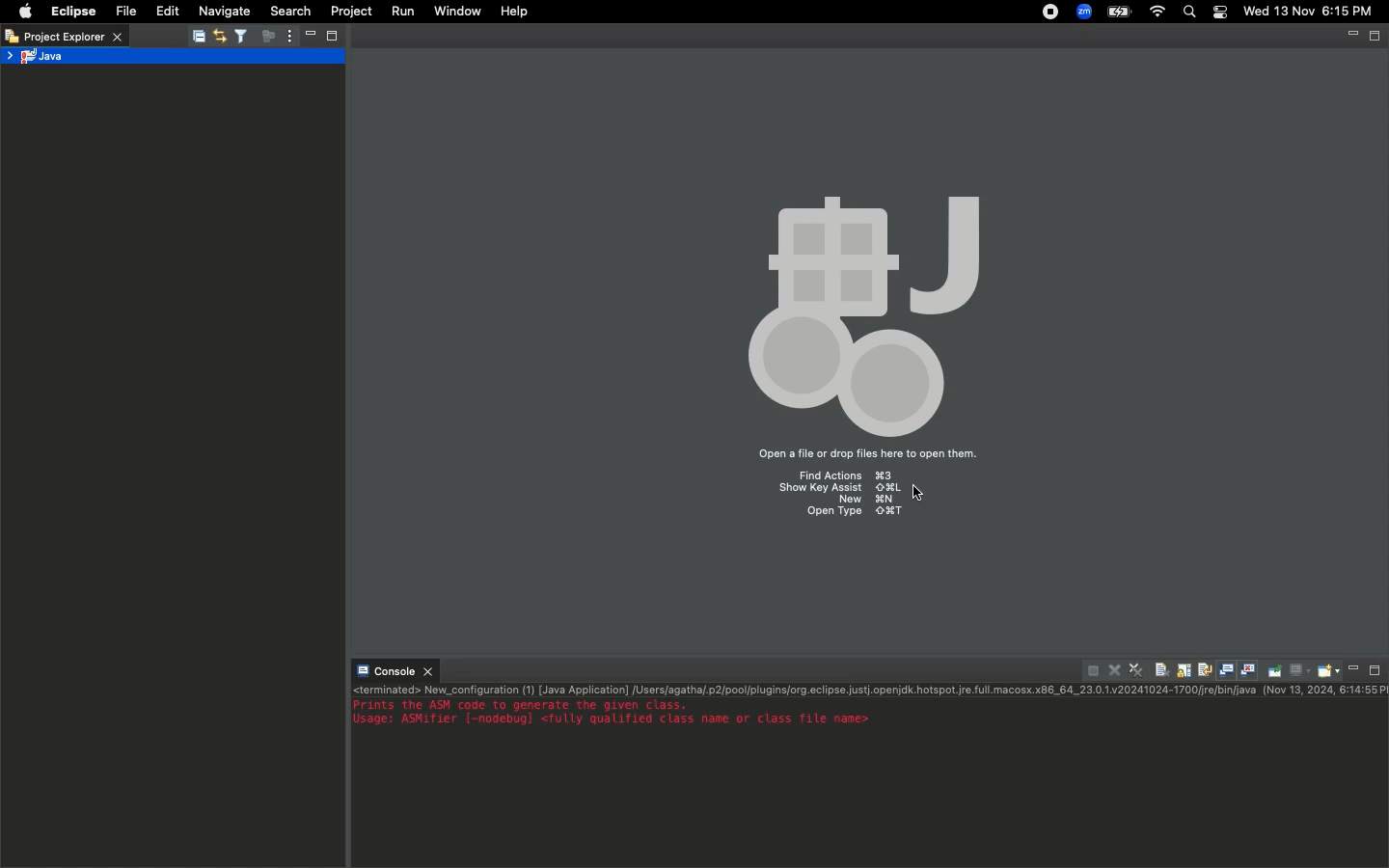 The image size is (1389, 868). Describe the element at coordinates (615, 721) in the screenshot. I see `Usage: ASMifier [–nodebug] <fully qualified class name or class file name>` at that location.